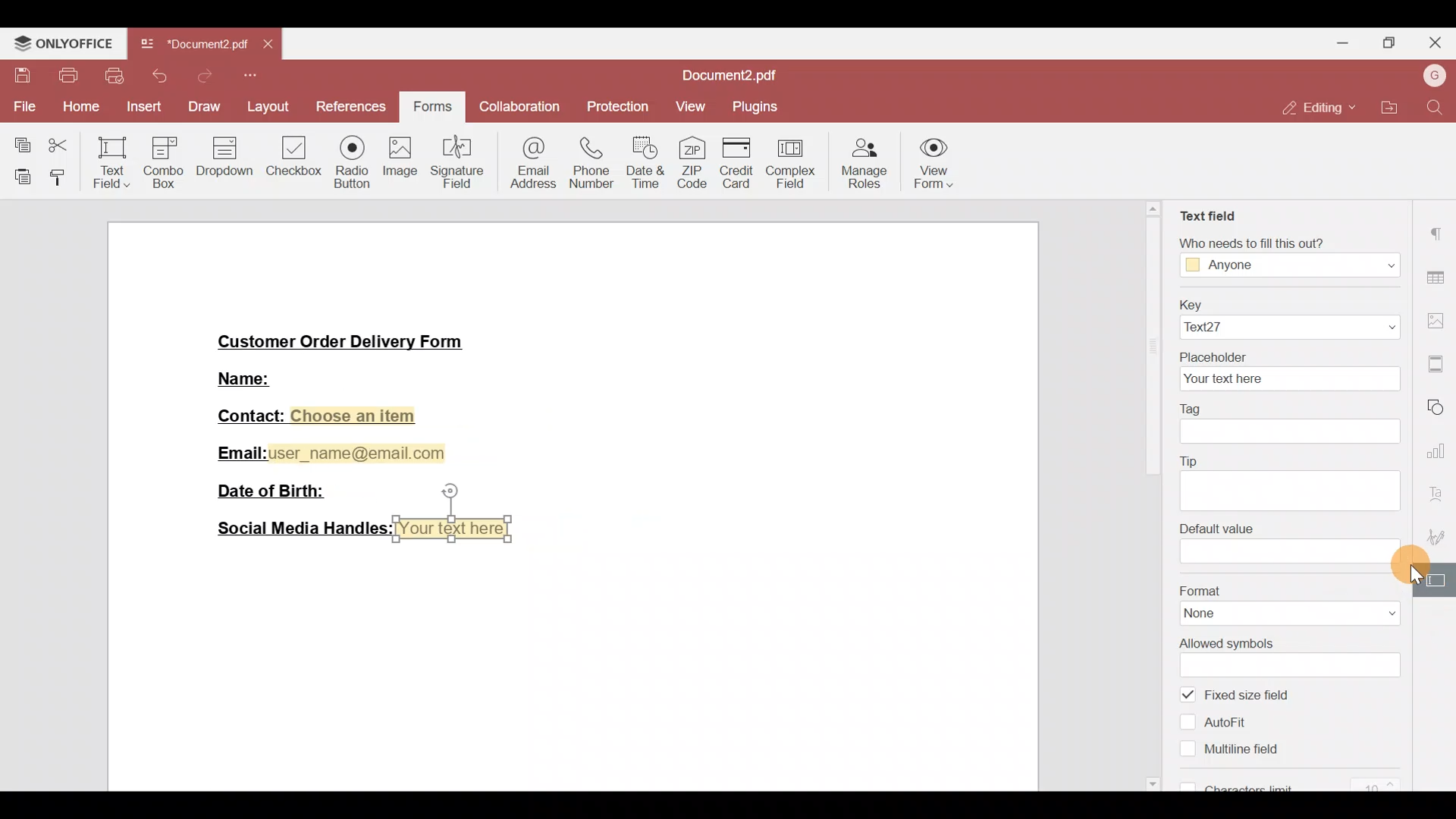 Image resolution: width=1456 pixels, height=819 pixels. Describe the element at coordinates (17, 76) in the screenshot. I see `Save` at that location.